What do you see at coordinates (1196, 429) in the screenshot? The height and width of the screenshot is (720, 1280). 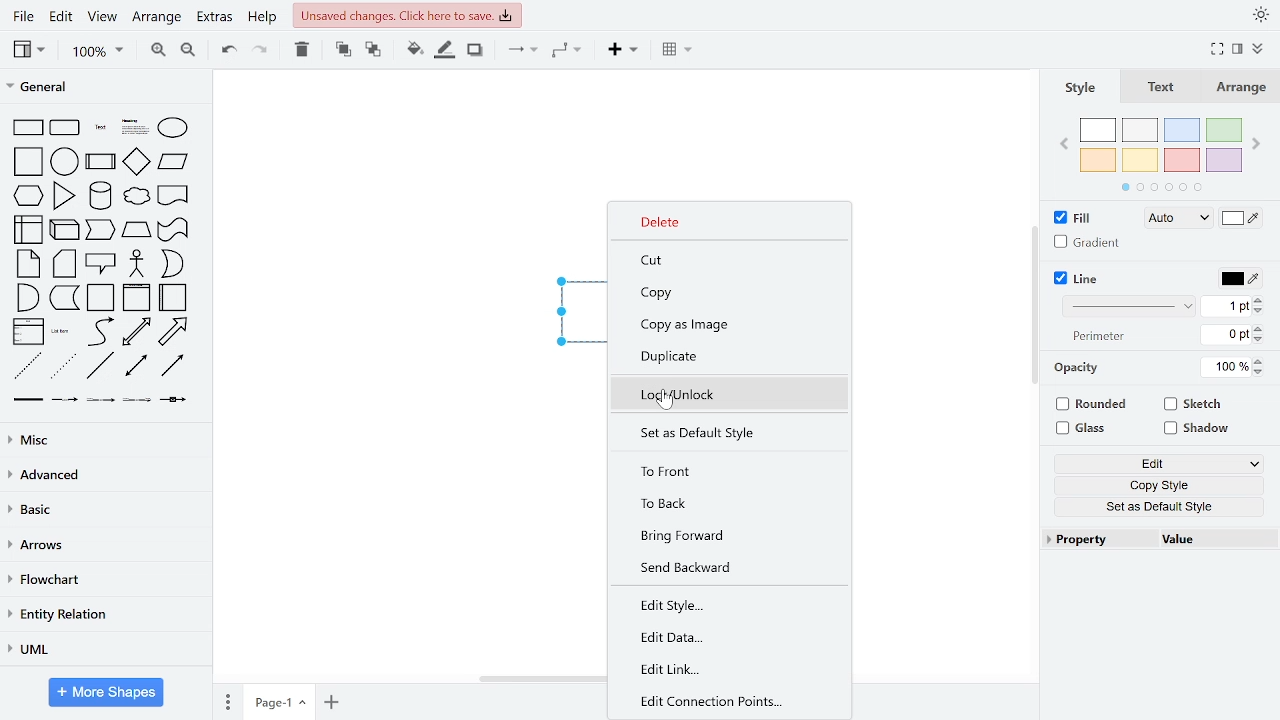 I see `shadow` at bounding box center [1196, 429].